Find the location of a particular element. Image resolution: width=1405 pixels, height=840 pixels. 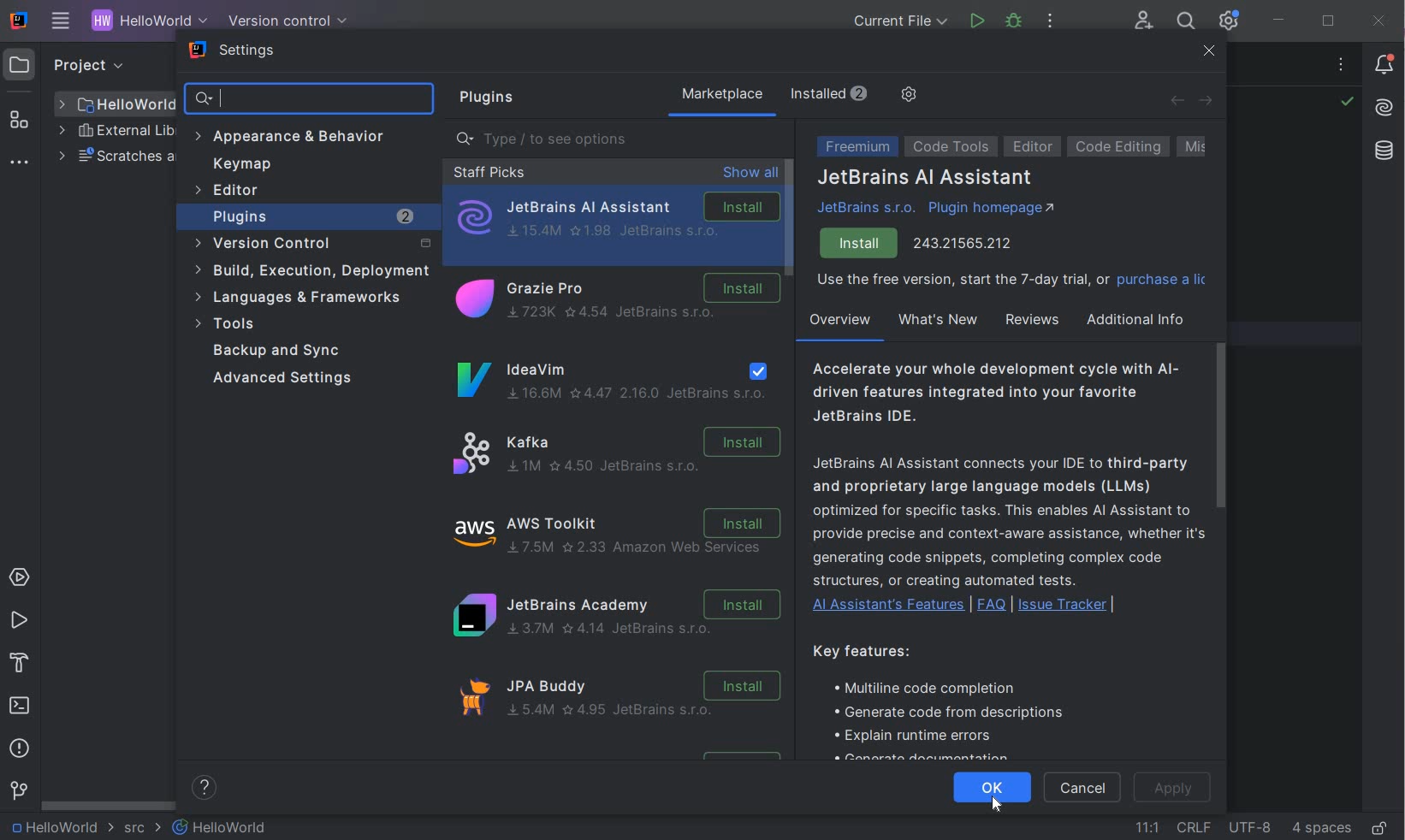

marketplace is located at coordinates (721, 96).